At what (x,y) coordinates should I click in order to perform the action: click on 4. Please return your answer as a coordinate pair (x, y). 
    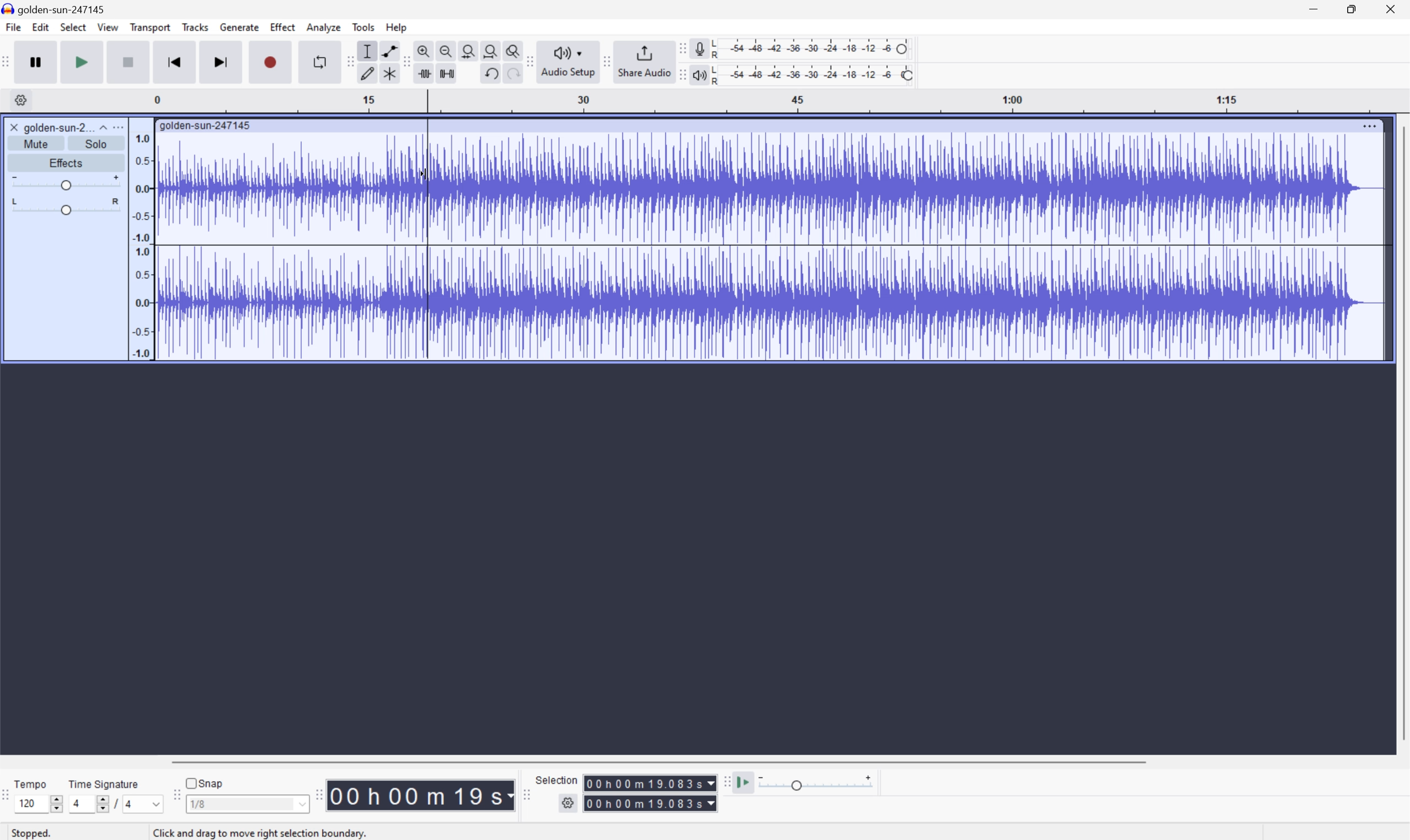
    Looking at the image, I should click on (130, 805).